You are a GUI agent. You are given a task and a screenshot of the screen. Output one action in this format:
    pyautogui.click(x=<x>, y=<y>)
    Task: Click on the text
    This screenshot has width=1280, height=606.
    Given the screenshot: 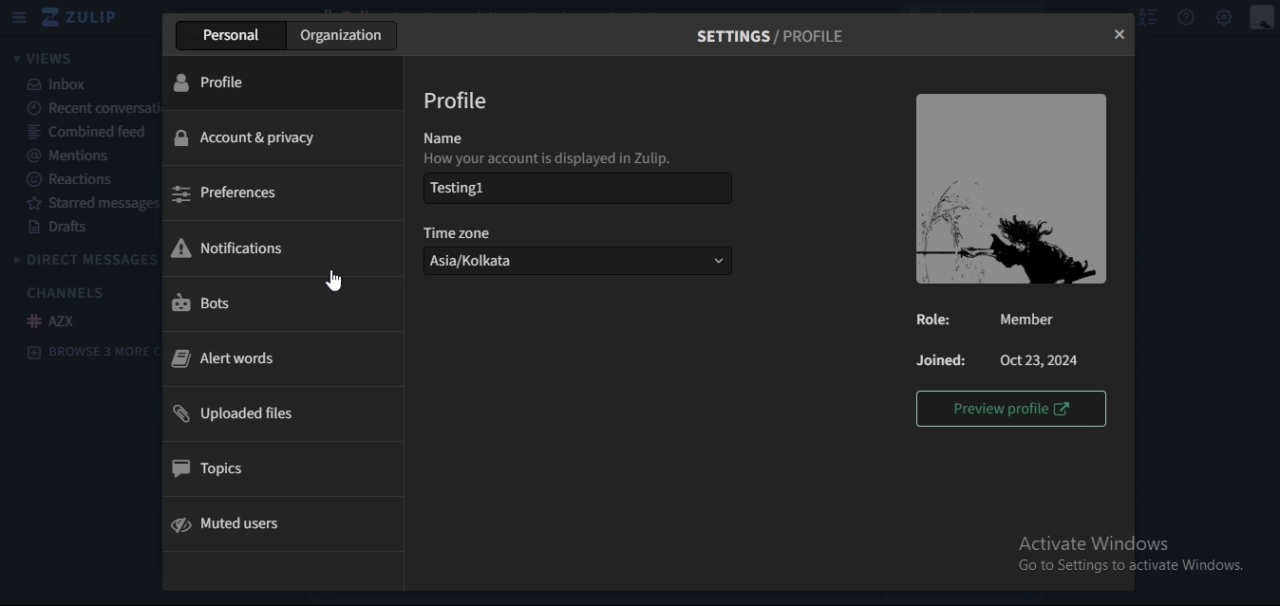 What is the action you would take?
    pyautogui.click(x=1004, y=356)
    